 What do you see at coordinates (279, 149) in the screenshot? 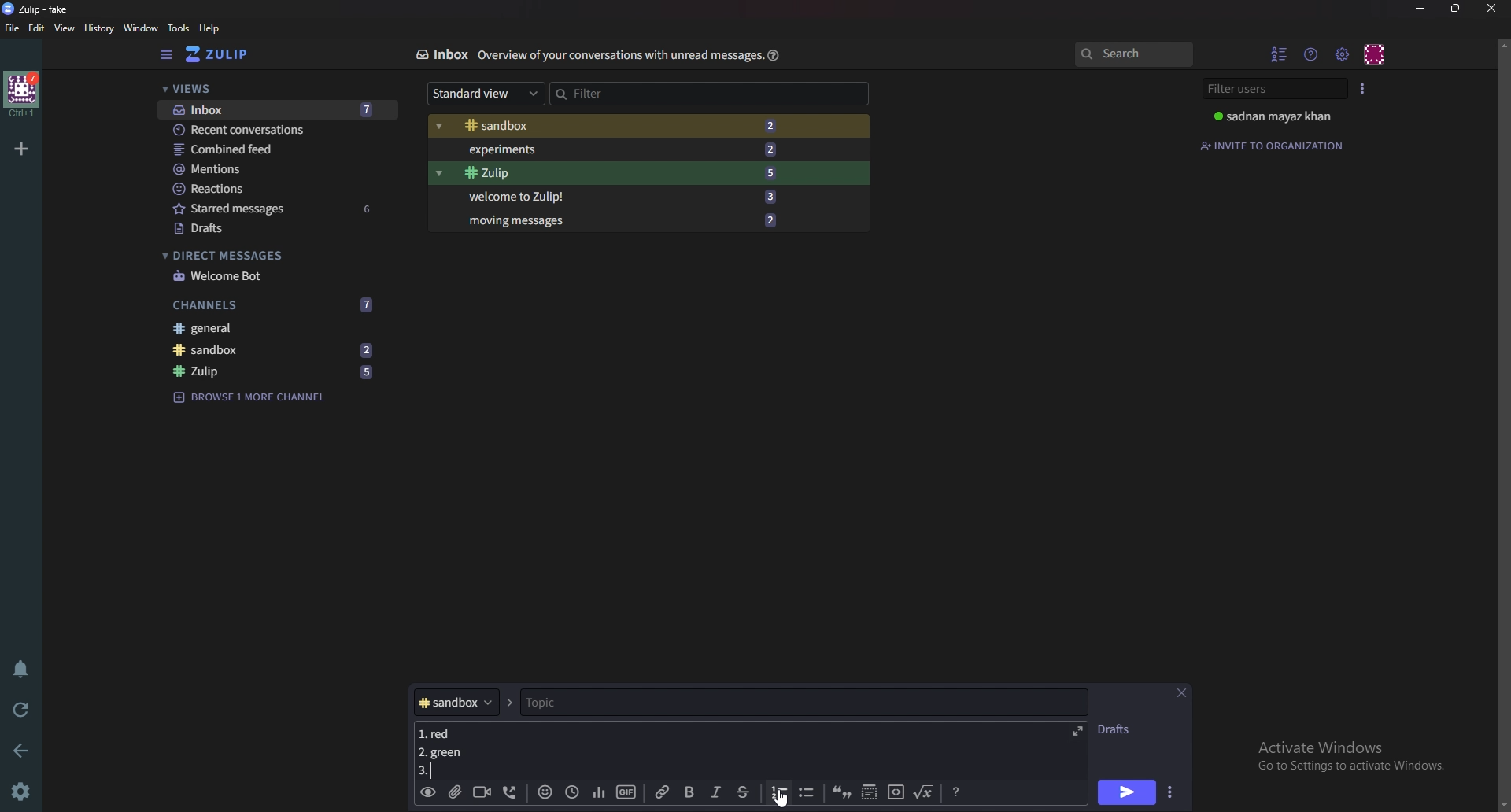
I see `Combine feed` at bounding box center [279, 149].